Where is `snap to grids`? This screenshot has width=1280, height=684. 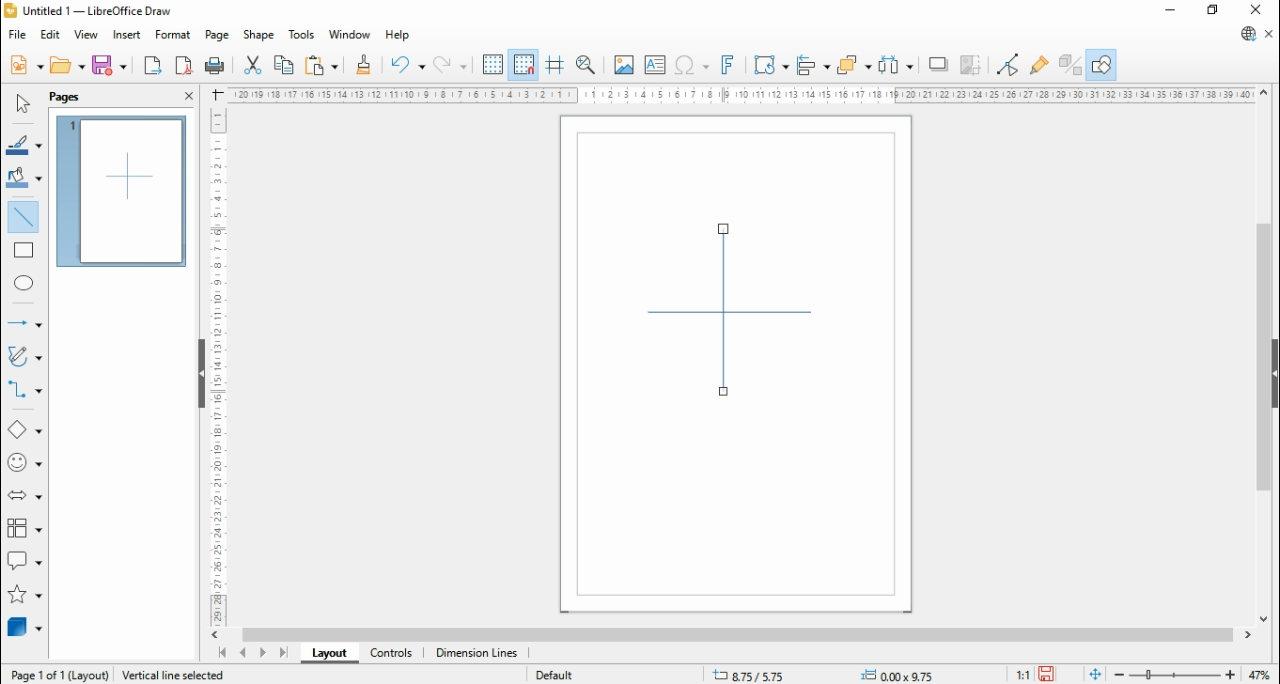 snap to grids is located at coordinates (525, 63).